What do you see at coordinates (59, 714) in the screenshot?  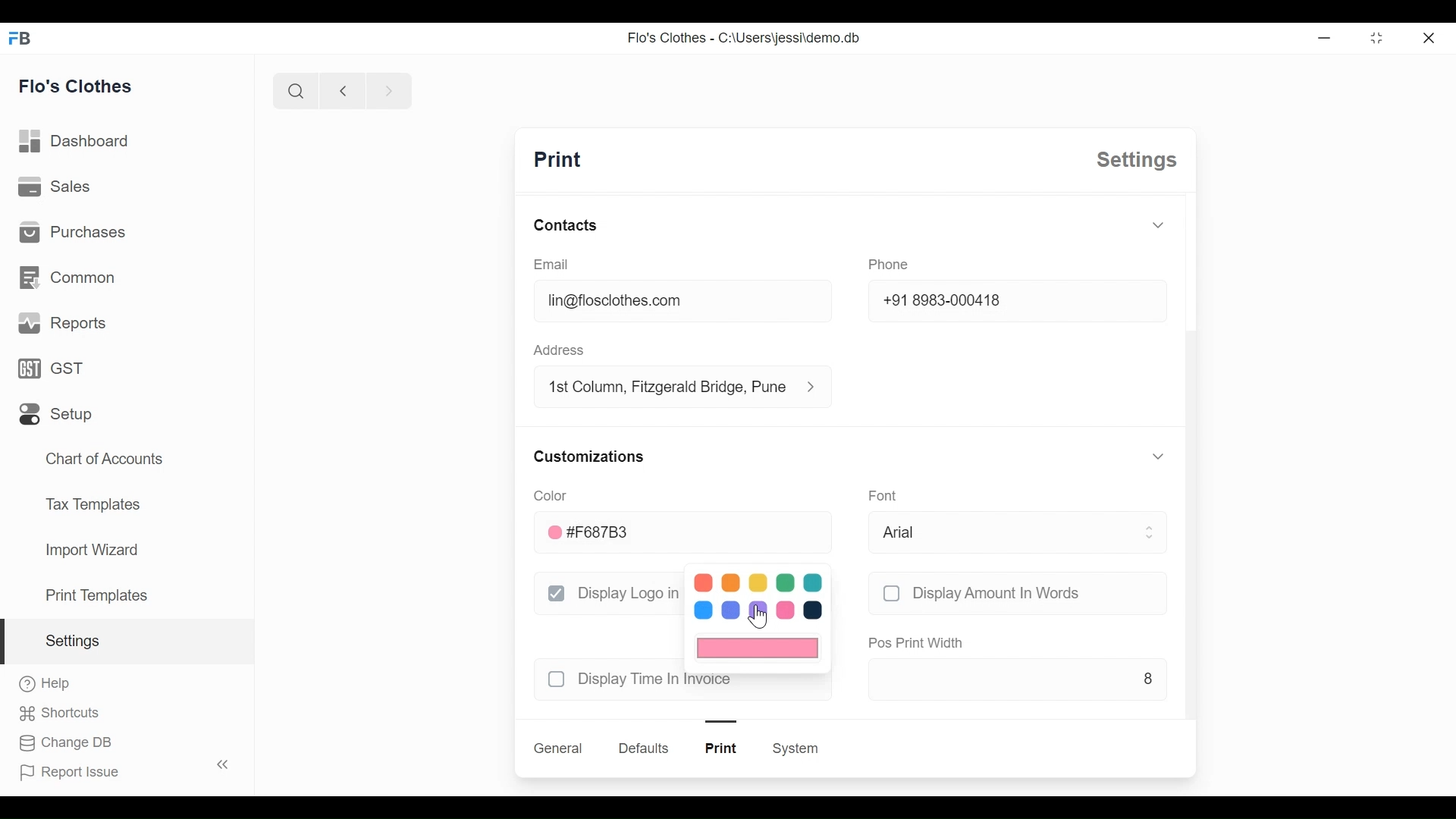 I see `shortcuts` at bounding box center [59, 714].